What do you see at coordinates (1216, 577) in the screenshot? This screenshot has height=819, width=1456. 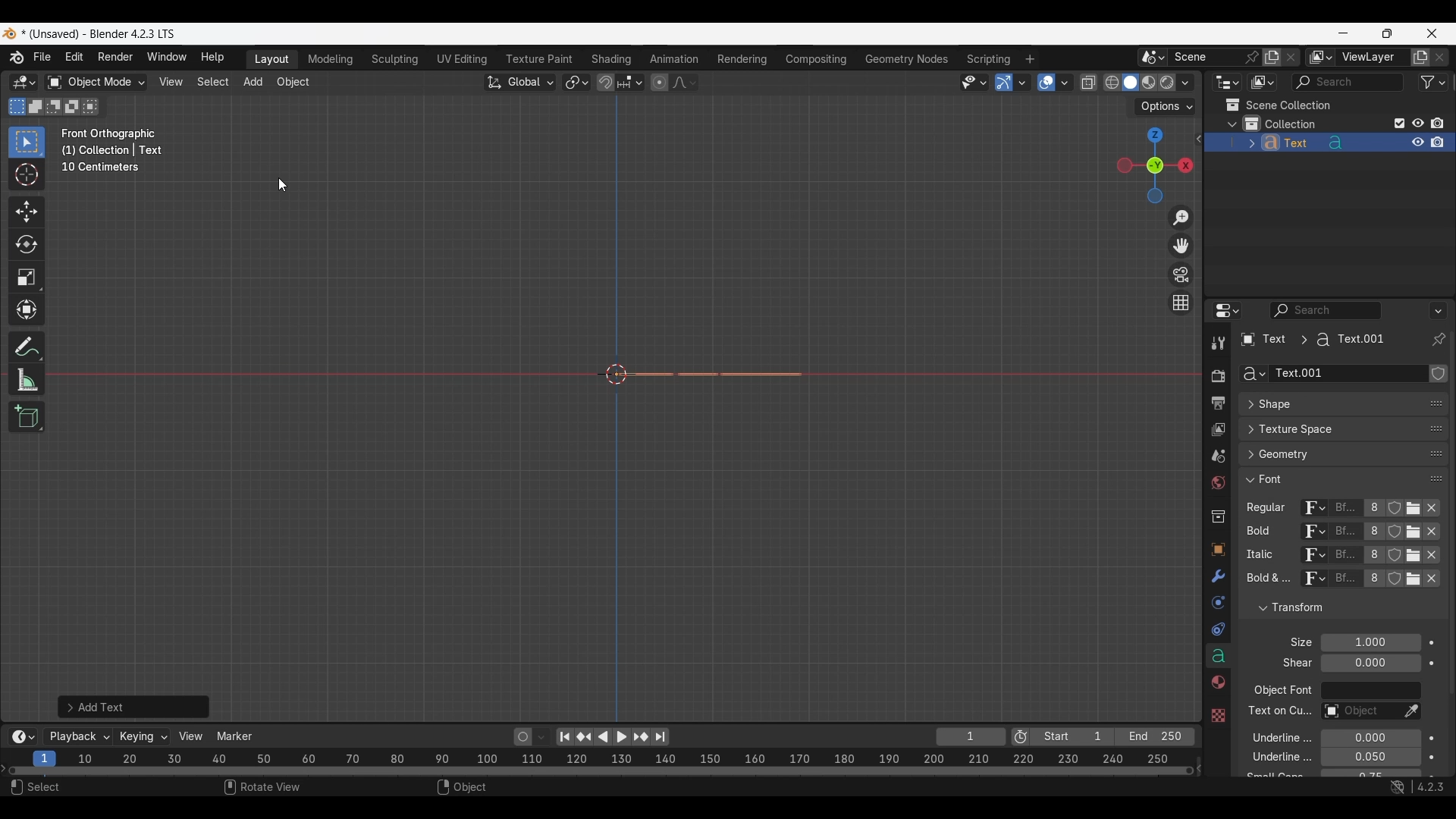 I see `Modifiers` at bounding box center [1216, 577].